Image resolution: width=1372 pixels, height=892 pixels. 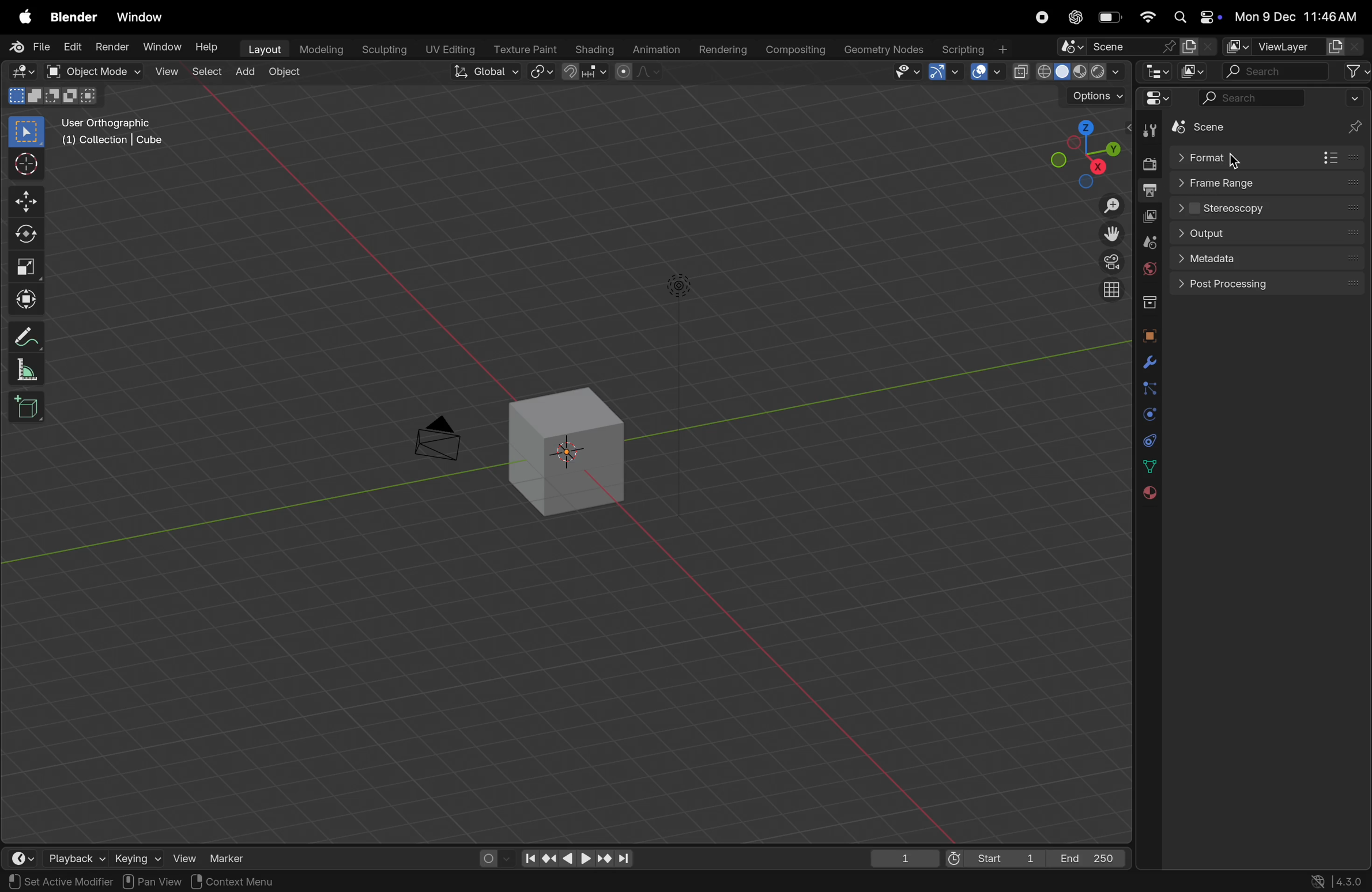 What do you see at coordinates (485, 73) in the screenshot?
I see `` at bounding box center [485, 73].